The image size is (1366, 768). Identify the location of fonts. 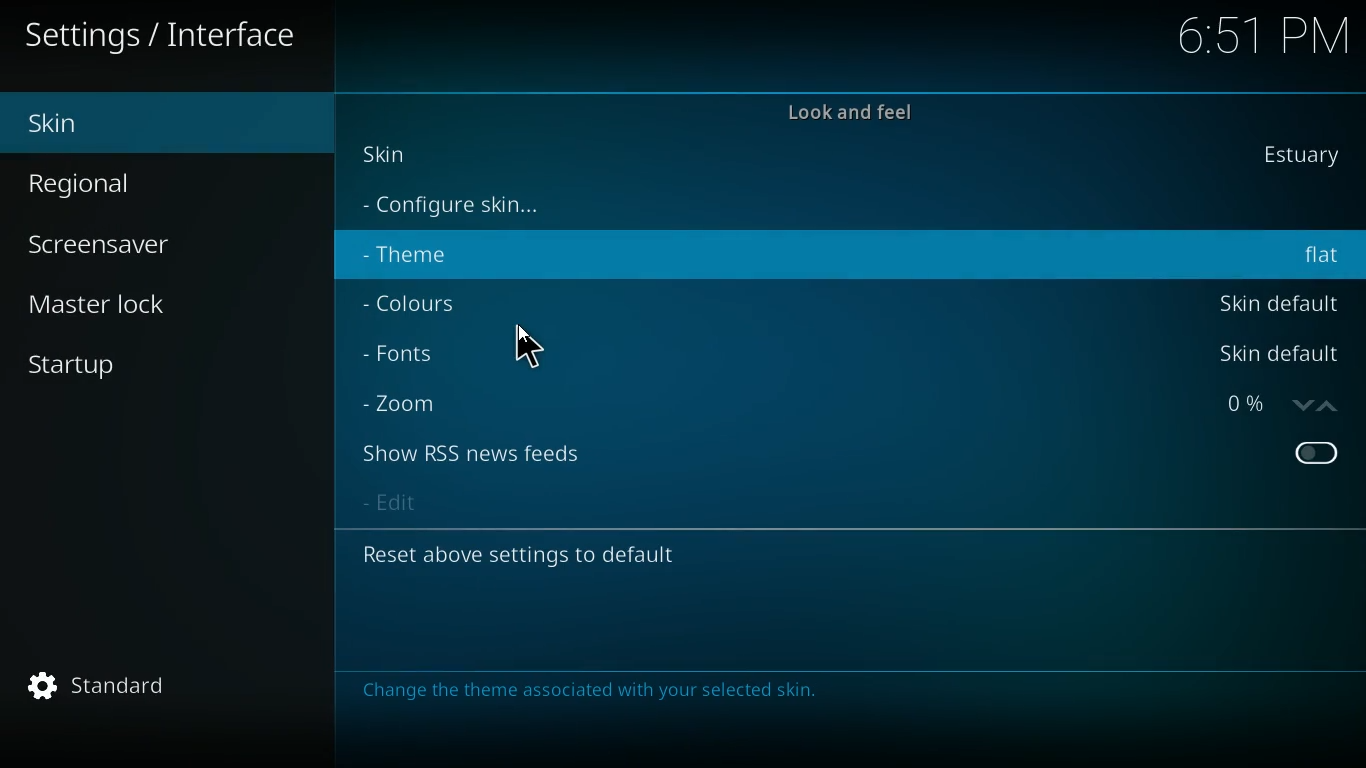
(411, 354).